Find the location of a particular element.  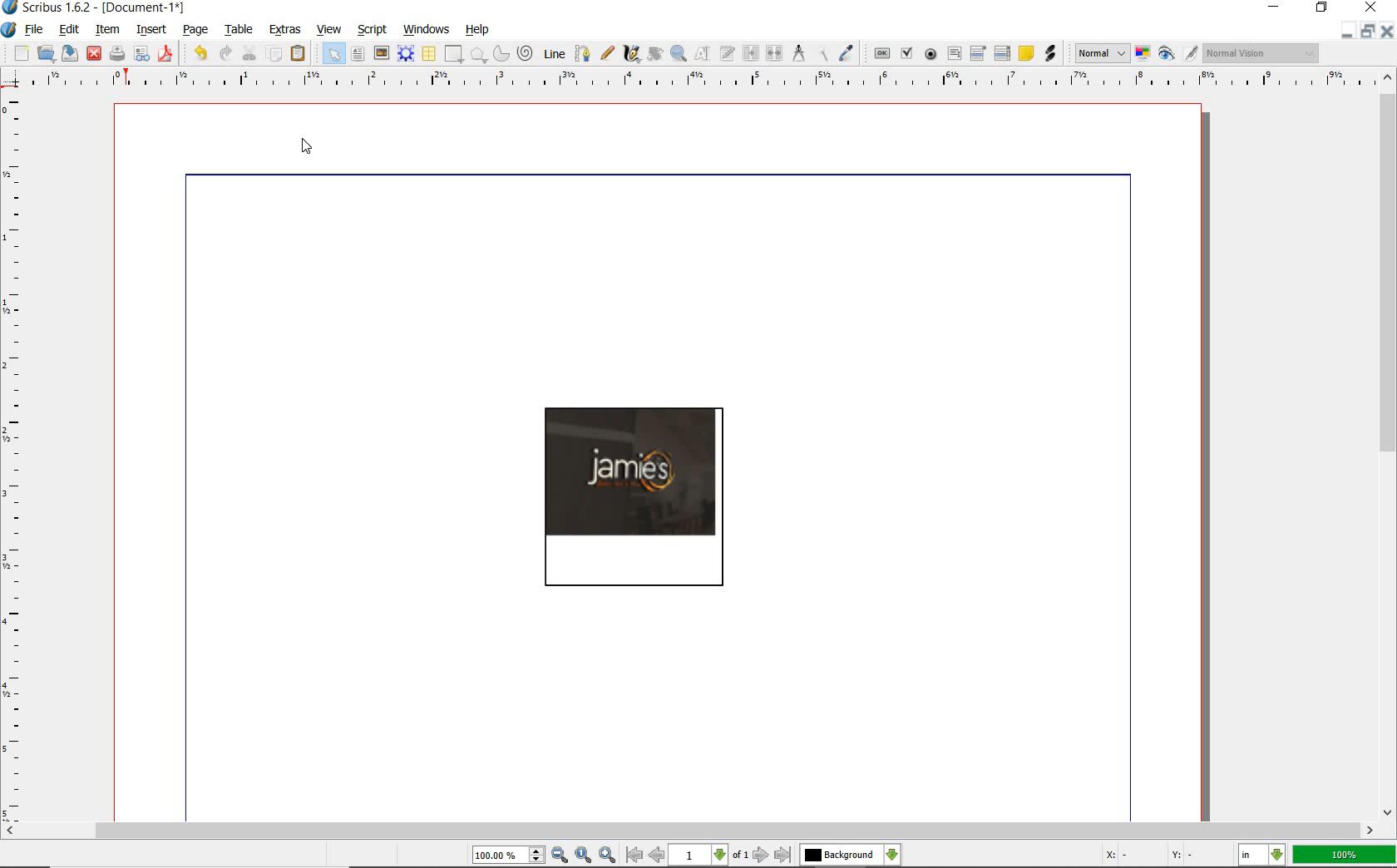

pdf push button is located at coordinates (881, 55).